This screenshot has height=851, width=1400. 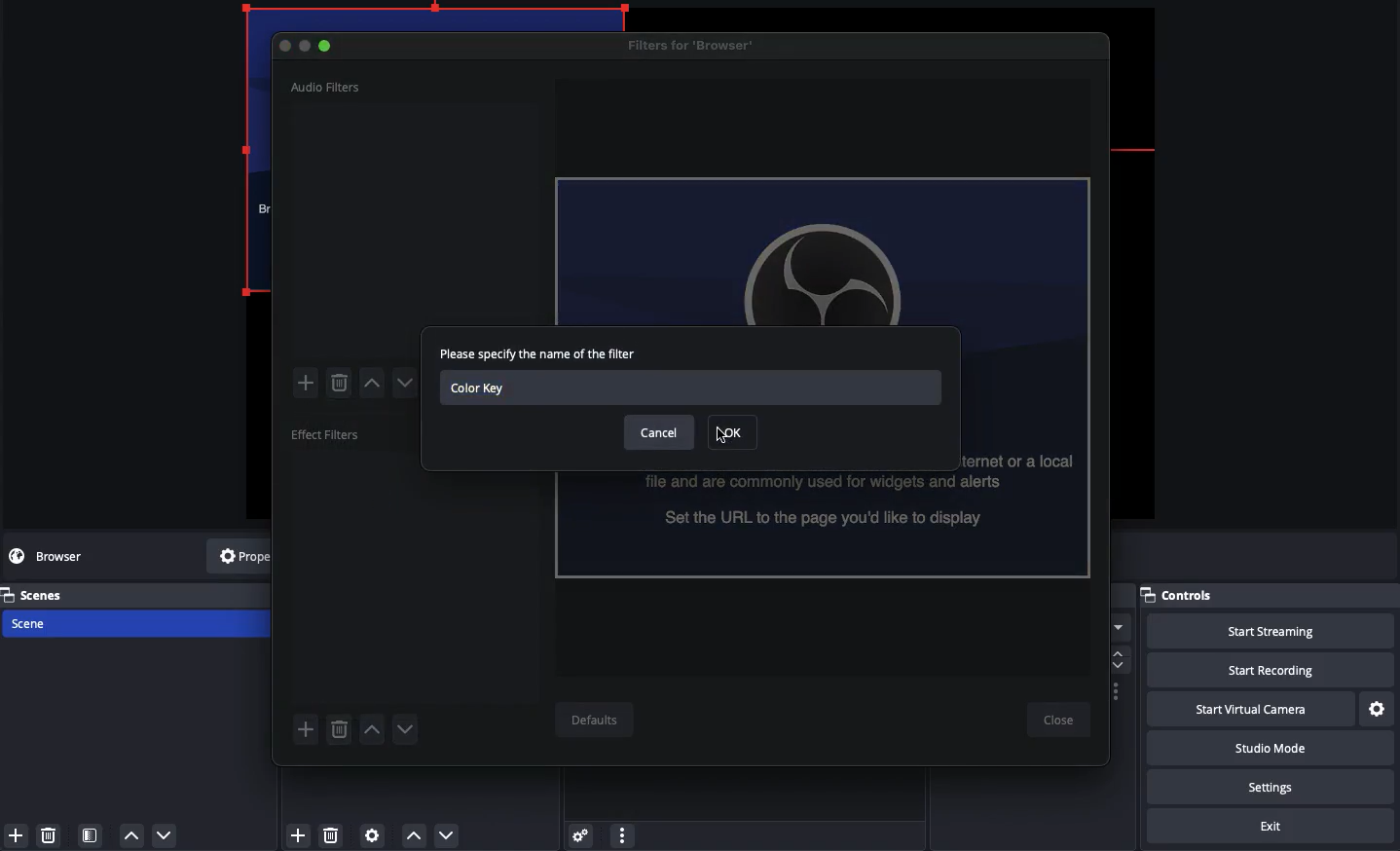 I want to click on Start virtual camera, so click(x=1248, y=710).